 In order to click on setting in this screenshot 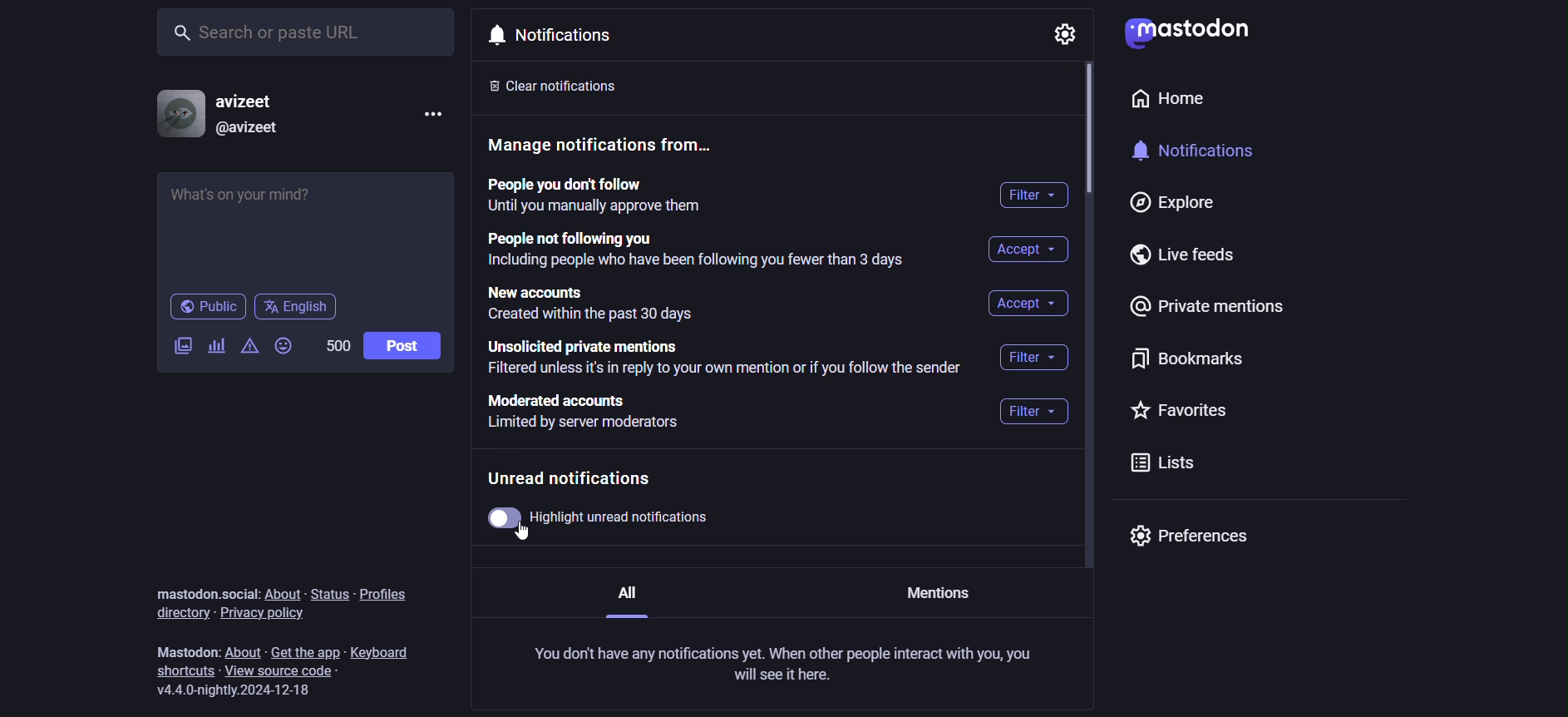, I will do `click(1066, 34)`.